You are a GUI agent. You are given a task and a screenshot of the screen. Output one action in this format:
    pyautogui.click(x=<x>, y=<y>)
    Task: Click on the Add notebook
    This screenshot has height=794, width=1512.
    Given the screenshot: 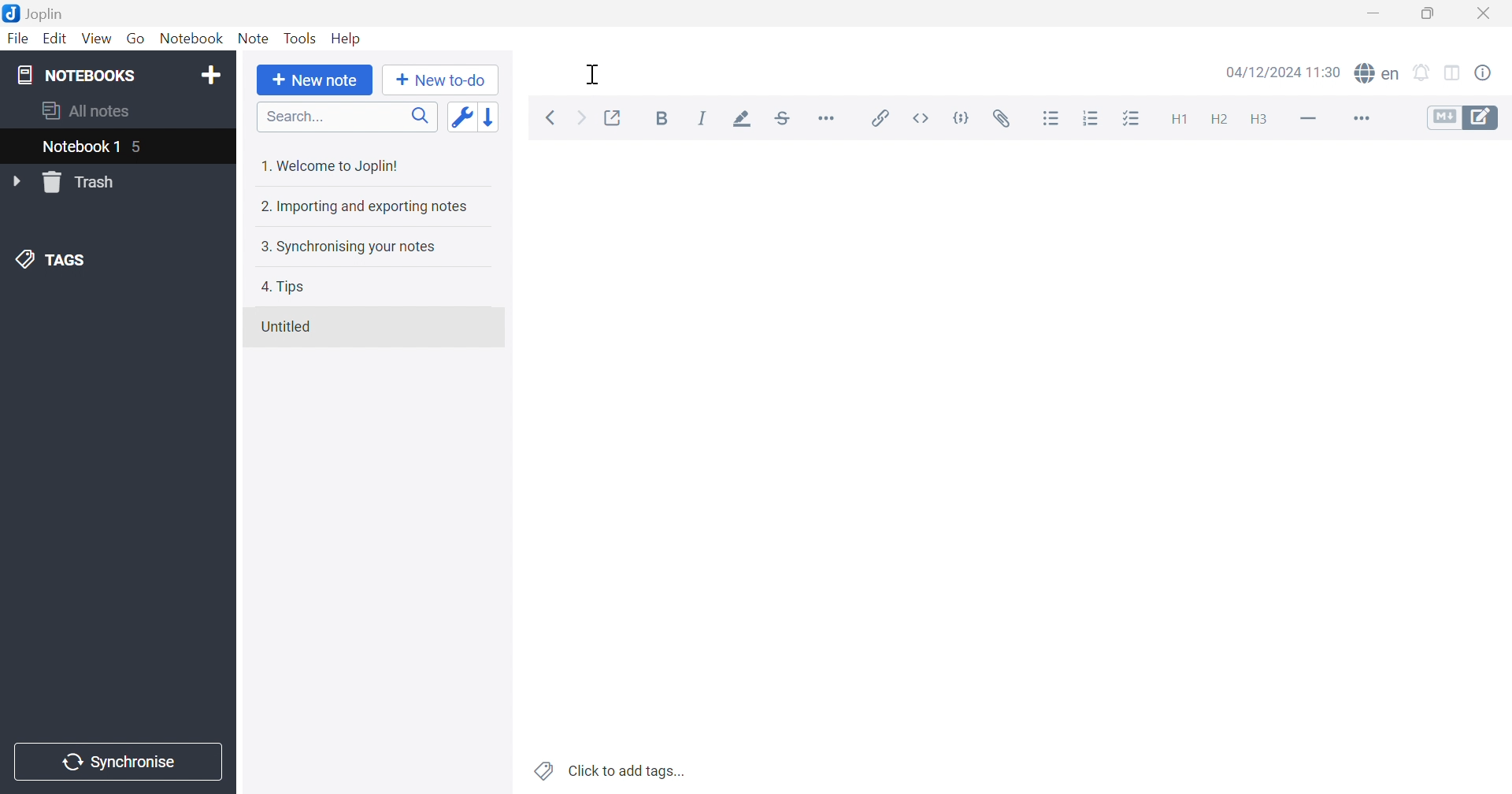 What is the action you would take?
    pyautogui.click(x=210, y=76)
    